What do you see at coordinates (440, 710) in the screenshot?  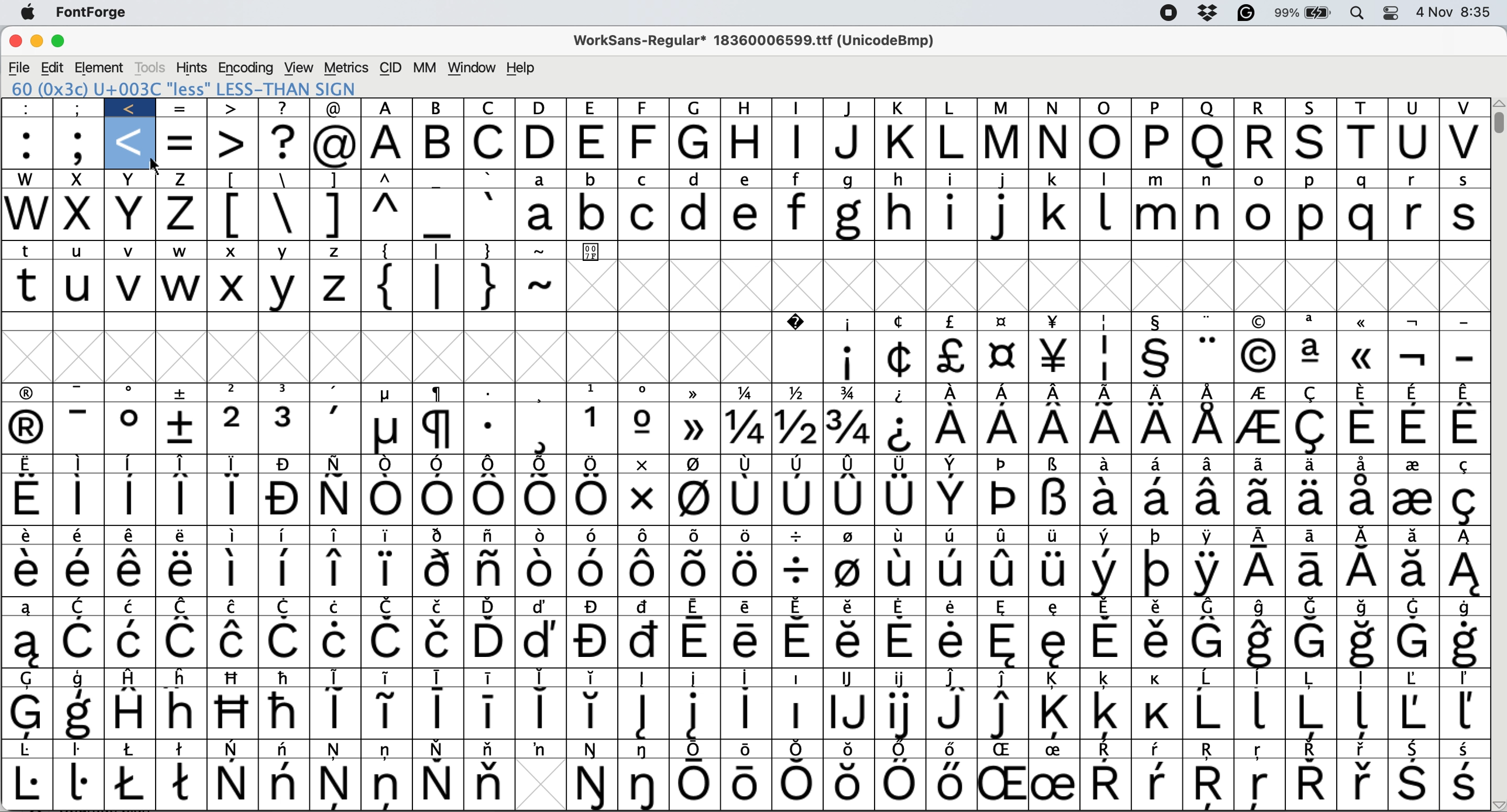 I see `Symbol` at bounding box center [440, 710].